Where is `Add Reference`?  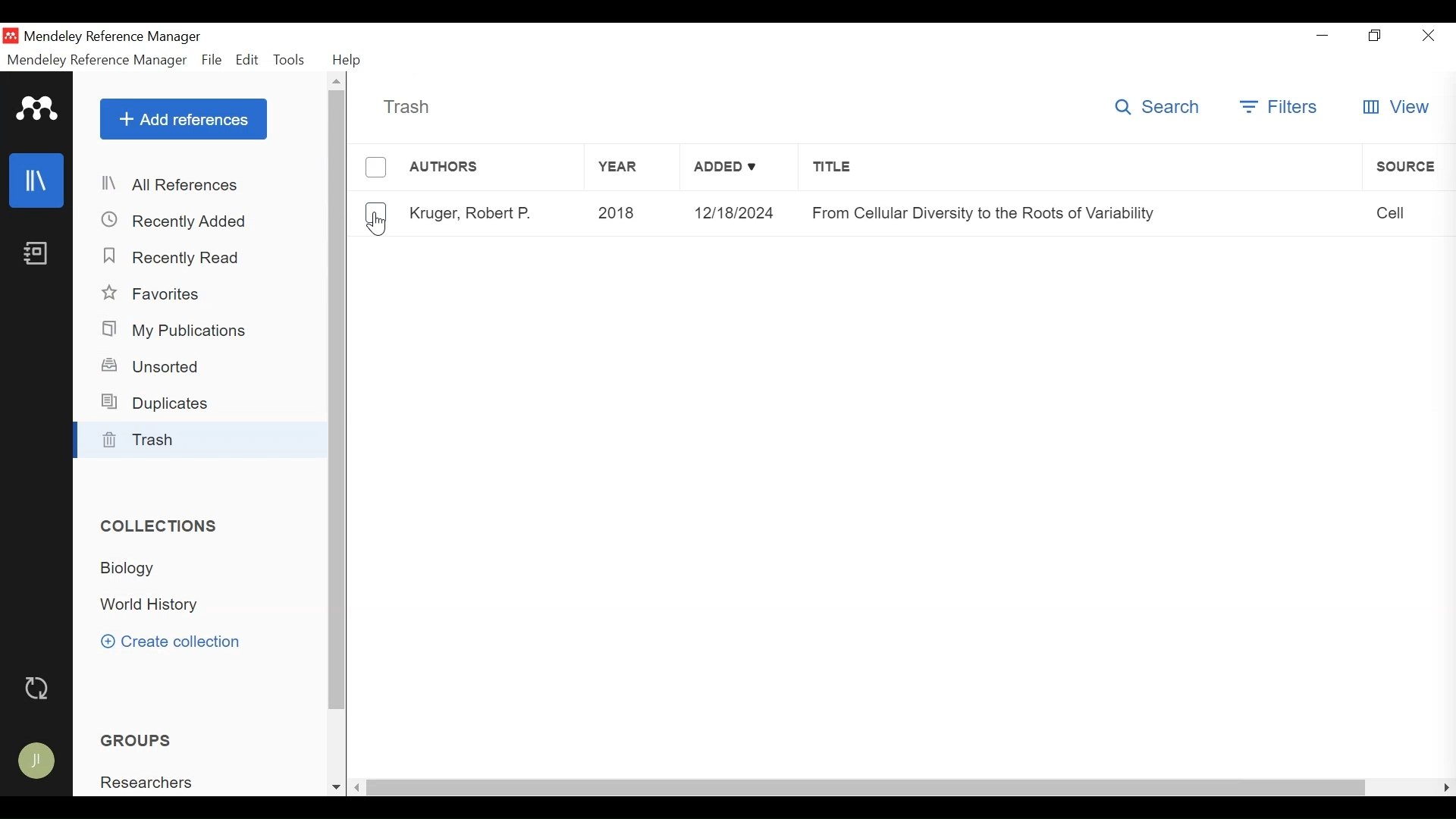 Add Reference is located at coordinates (183, 120).